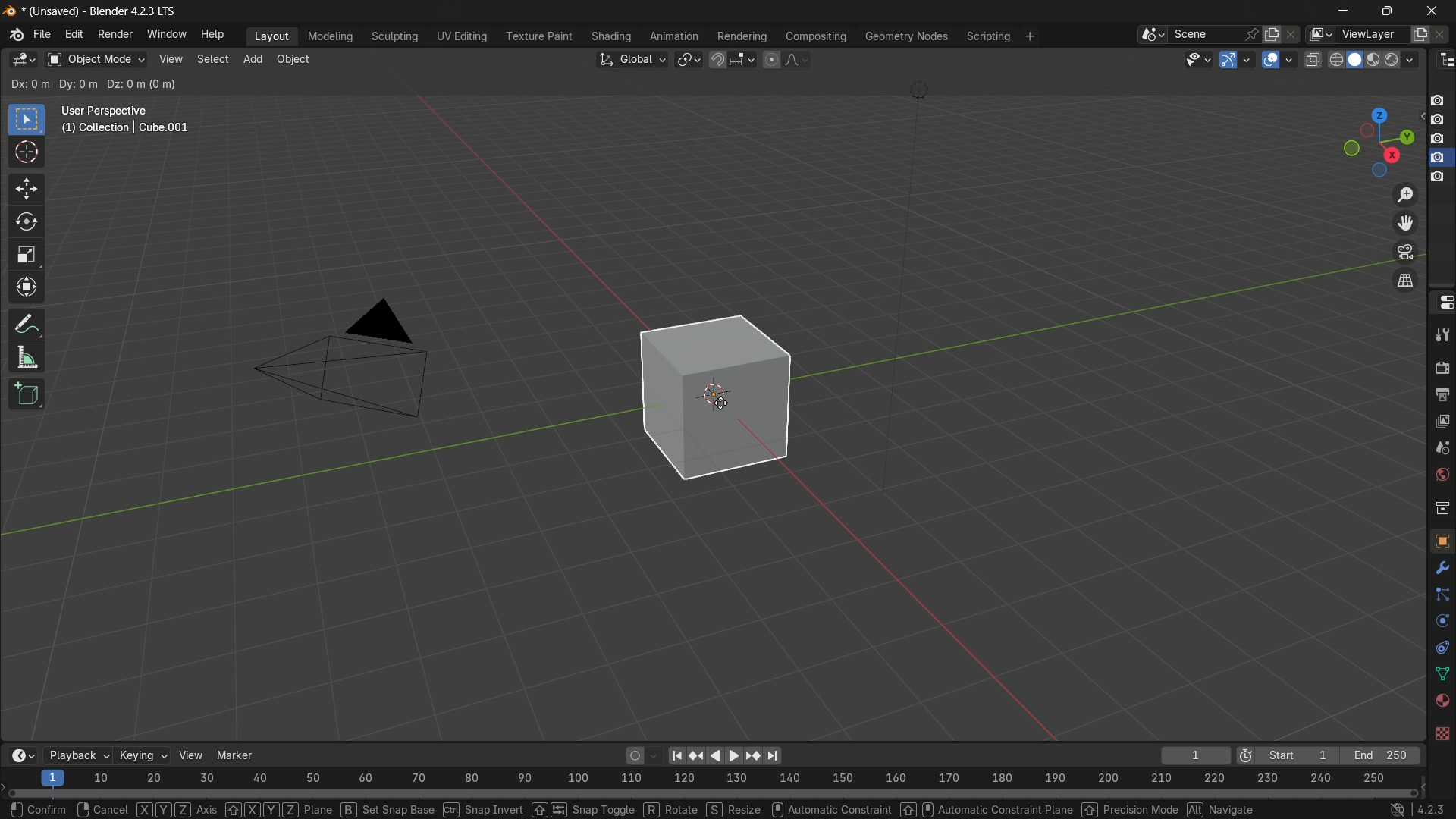  Describe the element at coordinates (632, 58) in the screenshot. I see `transformation orientation` at that location.